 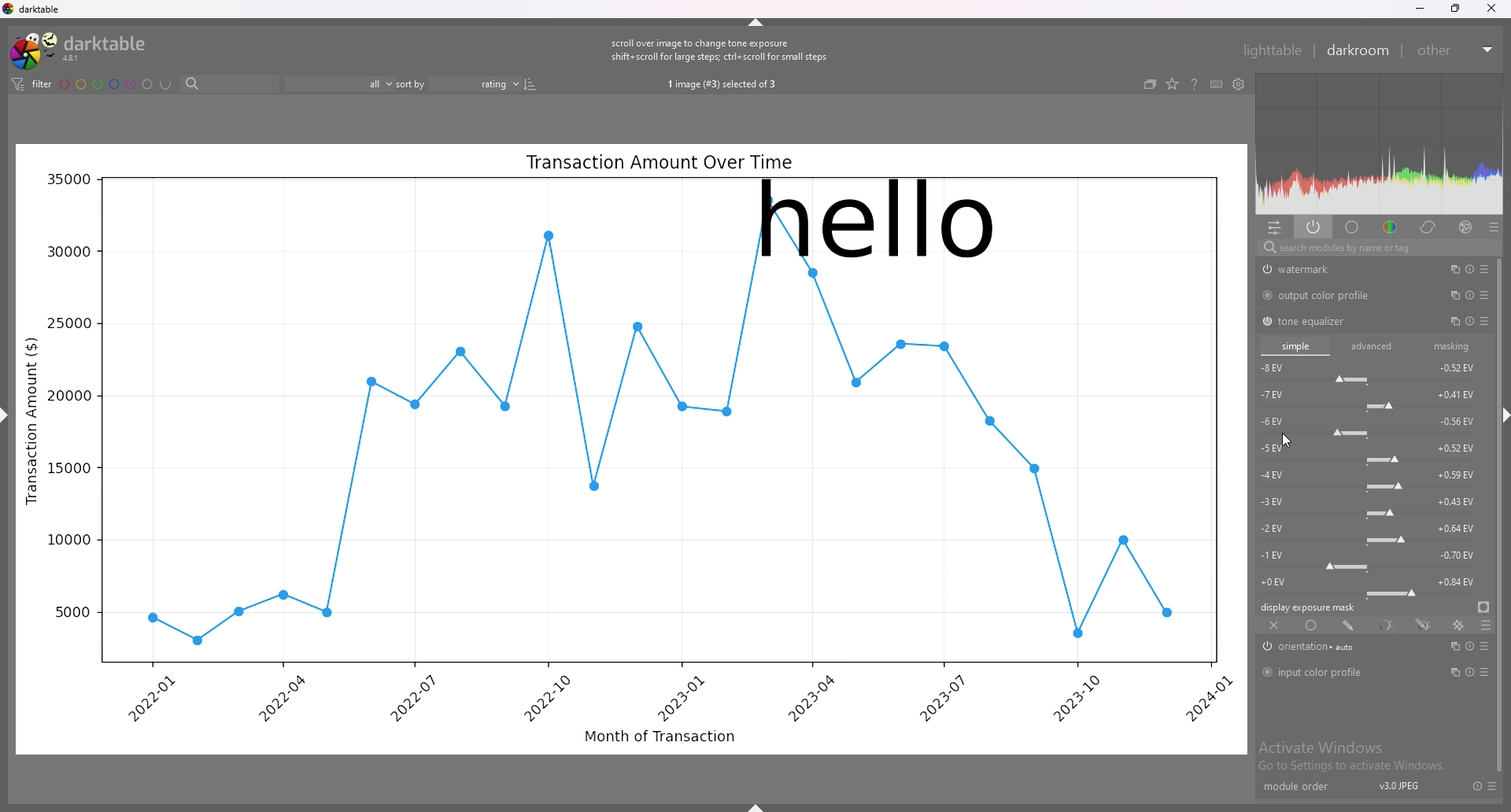 I want to click on show only active modules, so click(x=1314, y=228).